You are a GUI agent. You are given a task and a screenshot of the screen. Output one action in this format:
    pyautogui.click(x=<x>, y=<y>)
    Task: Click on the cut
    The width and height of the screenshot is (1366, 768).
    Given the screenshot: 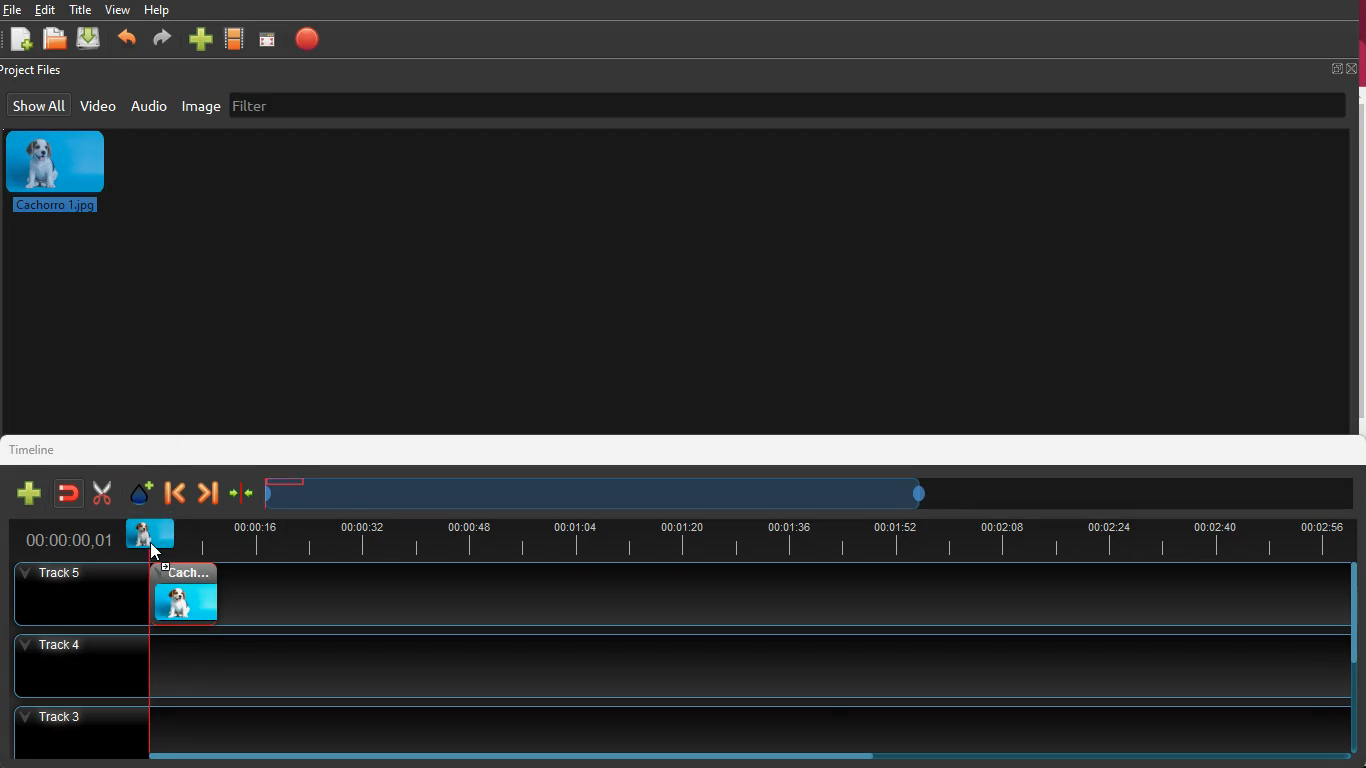 What is the action you would take?
    pyautogui.click(x=102, y=493)
    